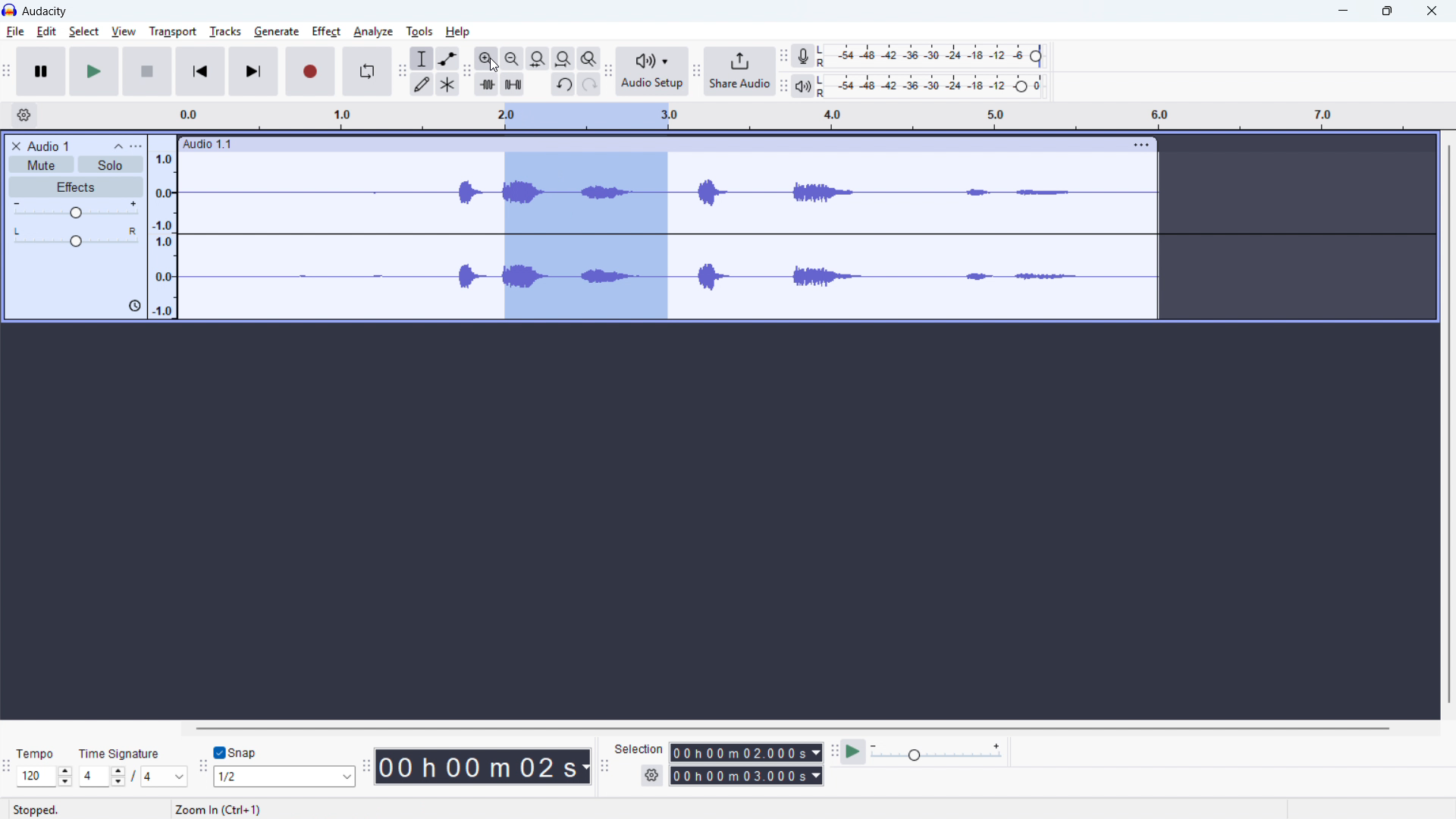  What do you see at coordinates (76, 237) in the screenshot?
I see `pan: centre` at bounding box center [76, 237].